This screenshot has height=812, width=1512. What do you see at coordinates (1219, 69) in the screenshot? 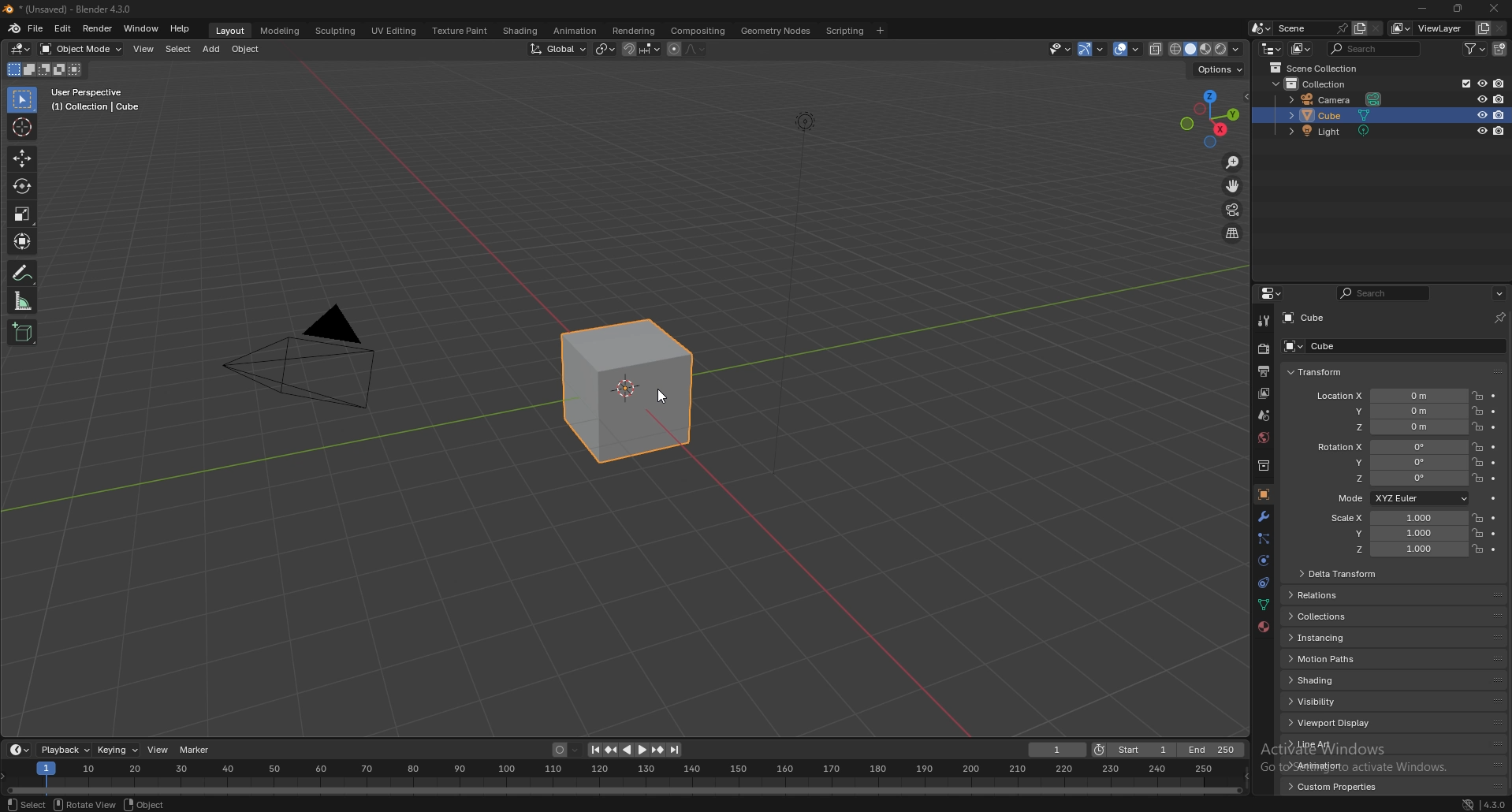
I see `options` at bounding box center [1219, 69].